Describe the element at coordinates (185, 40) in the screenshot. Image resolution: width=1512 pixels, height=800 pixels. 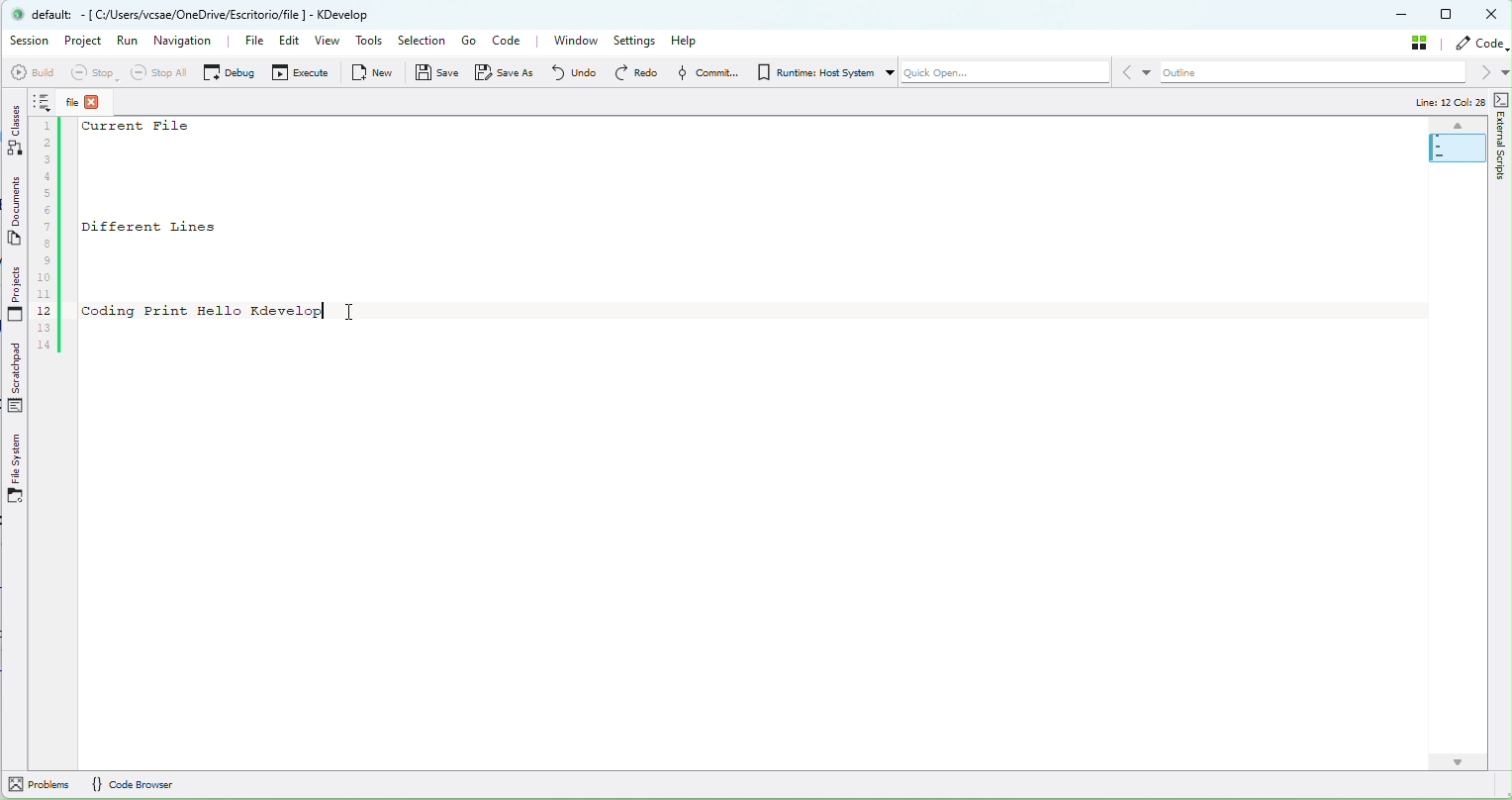
I see `navigation` at that location.